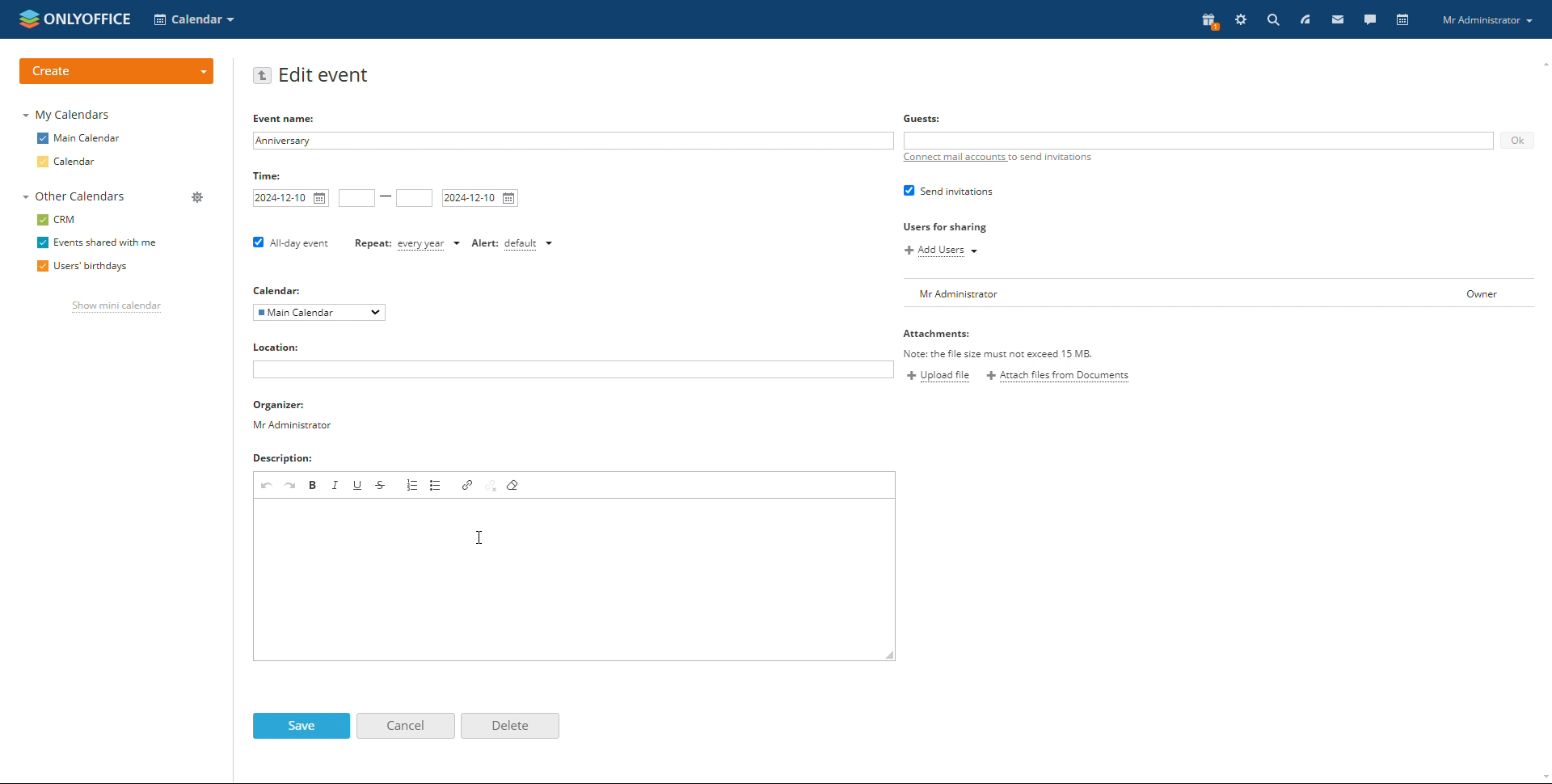 This screenshot has width=1552, height=784. Describe the element at coordinates (291, 198) in the screenshot. I see `start date` at that location.